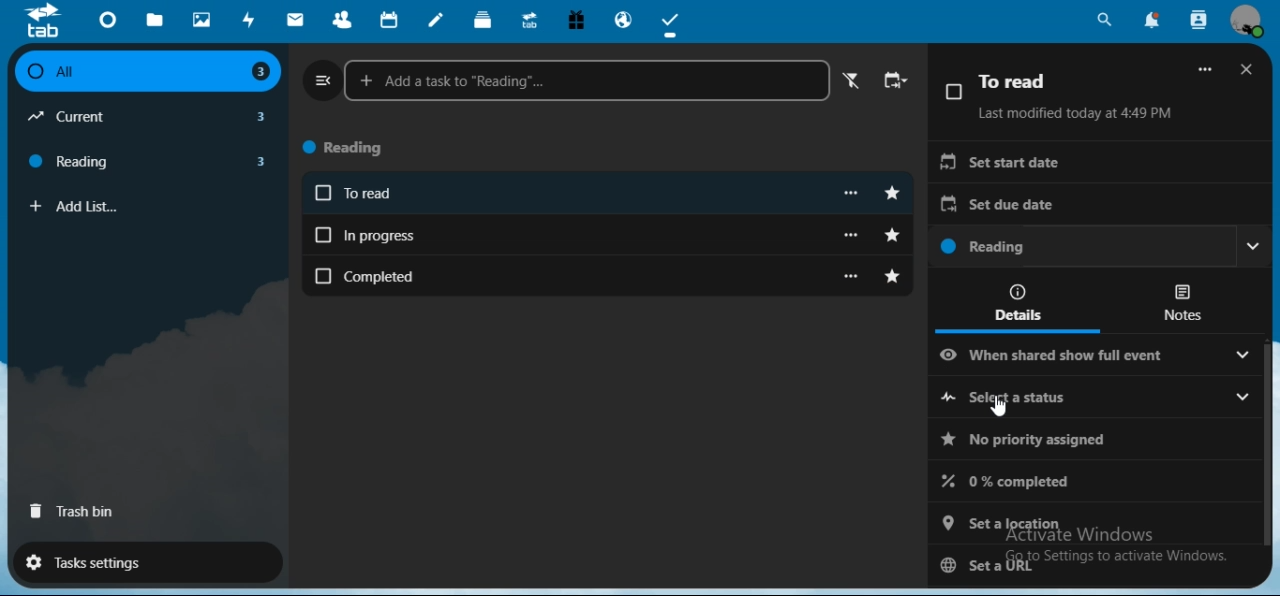  What do you see at coordinates (897, 192) in the screenshot?
I see `toggle starred` at bounding box center [897, 192].